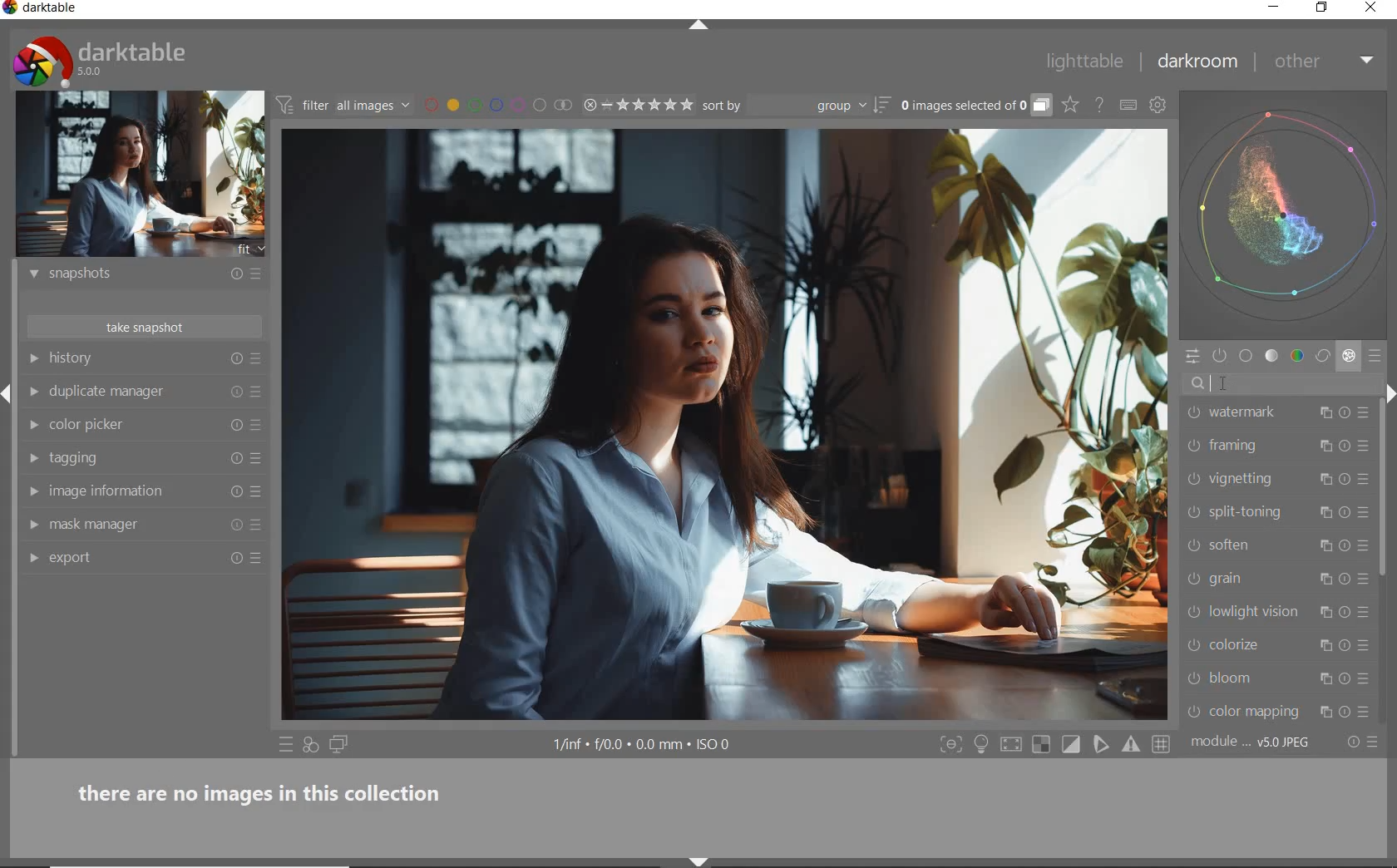 The image size is (1397, 868). Describe the element at coordinates (42, 9) in the screenshot. I see `system name` at that location.